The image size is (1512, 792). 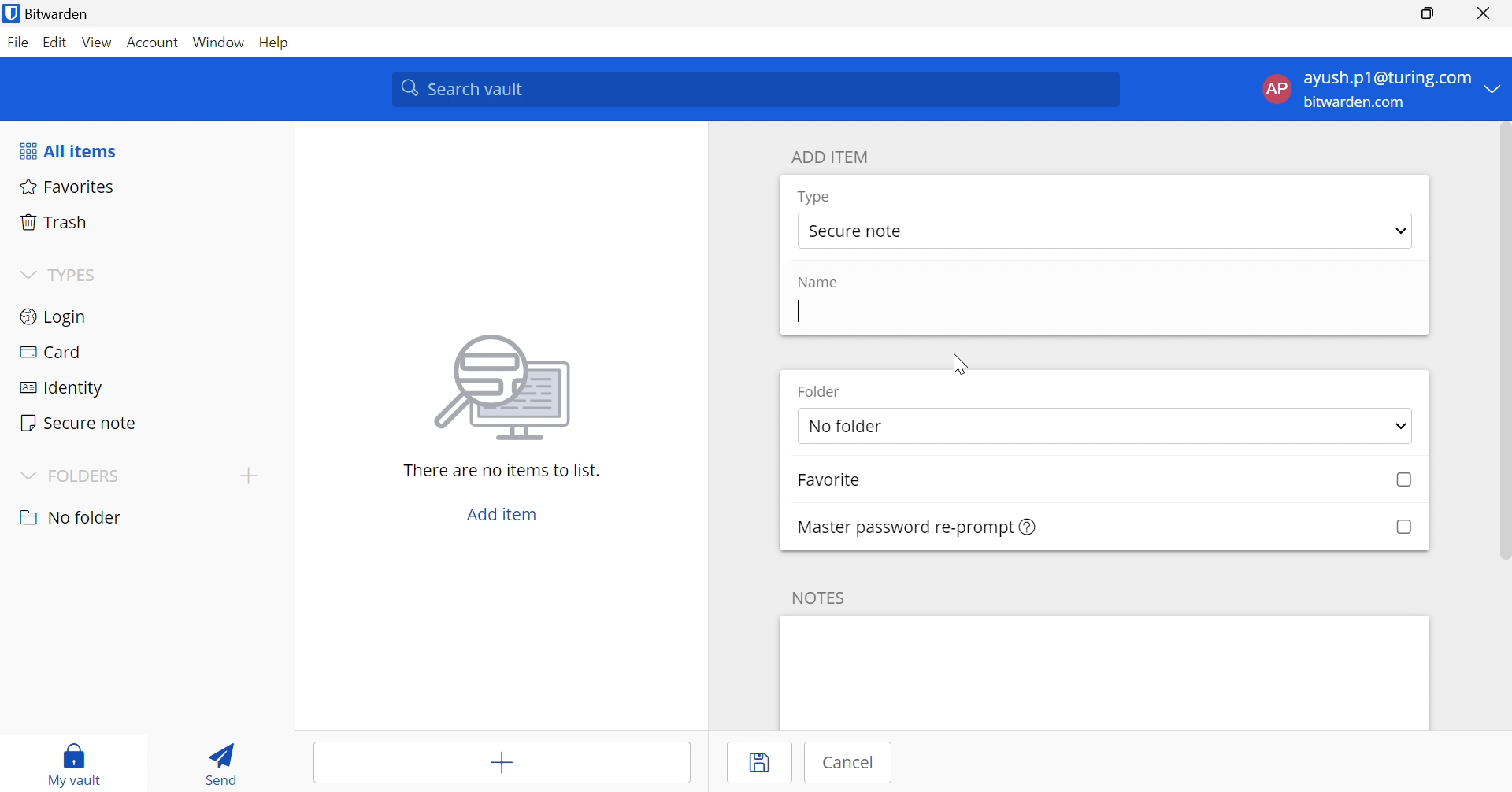 I want to click on Bitwarden, so click(x=50, y=13).